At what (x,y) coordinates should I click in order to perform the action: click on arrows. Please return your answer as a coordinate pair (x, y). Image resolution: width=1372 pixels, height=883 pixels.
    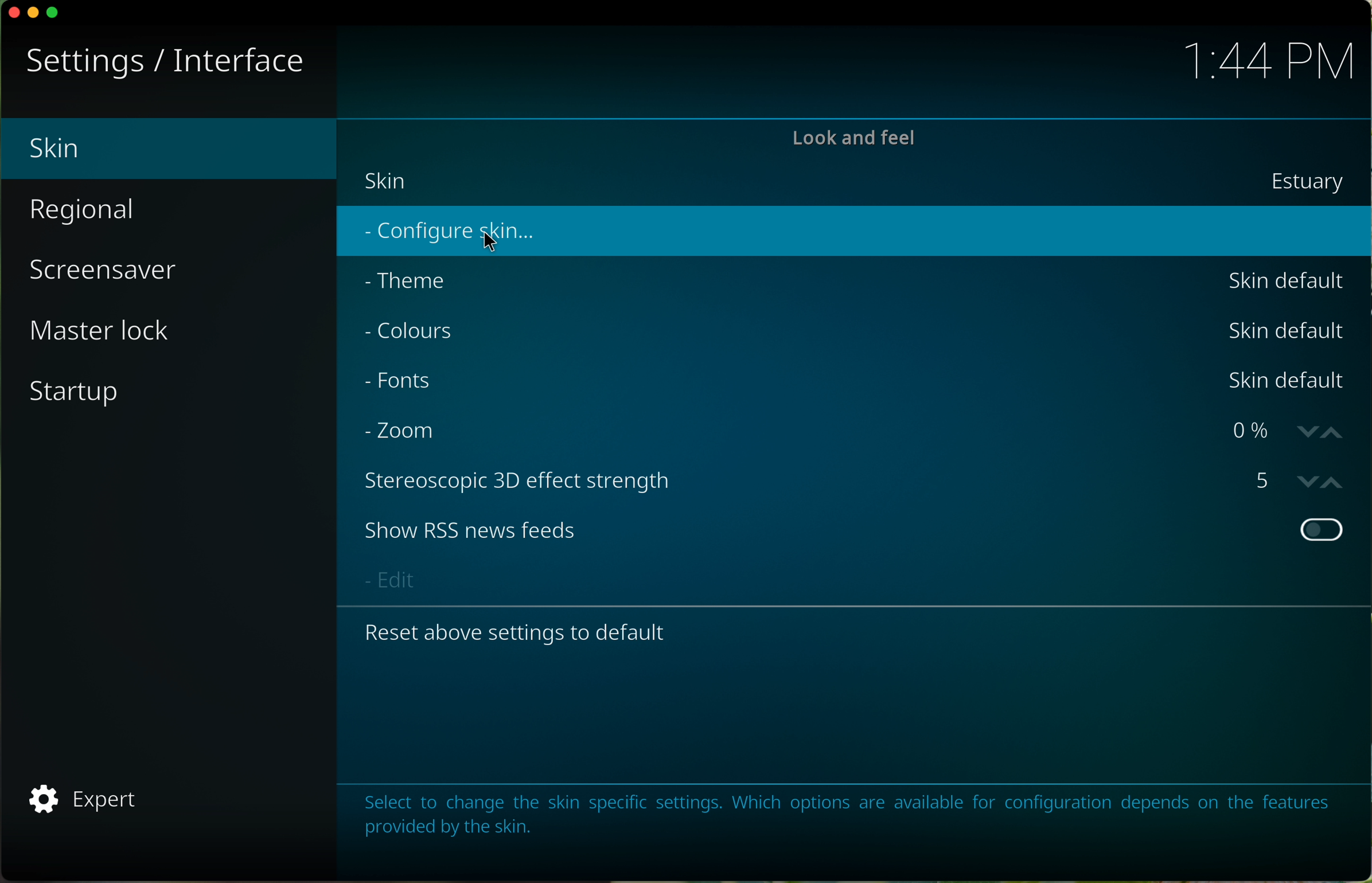
    Looking at the image, I should click on (1317, 479).